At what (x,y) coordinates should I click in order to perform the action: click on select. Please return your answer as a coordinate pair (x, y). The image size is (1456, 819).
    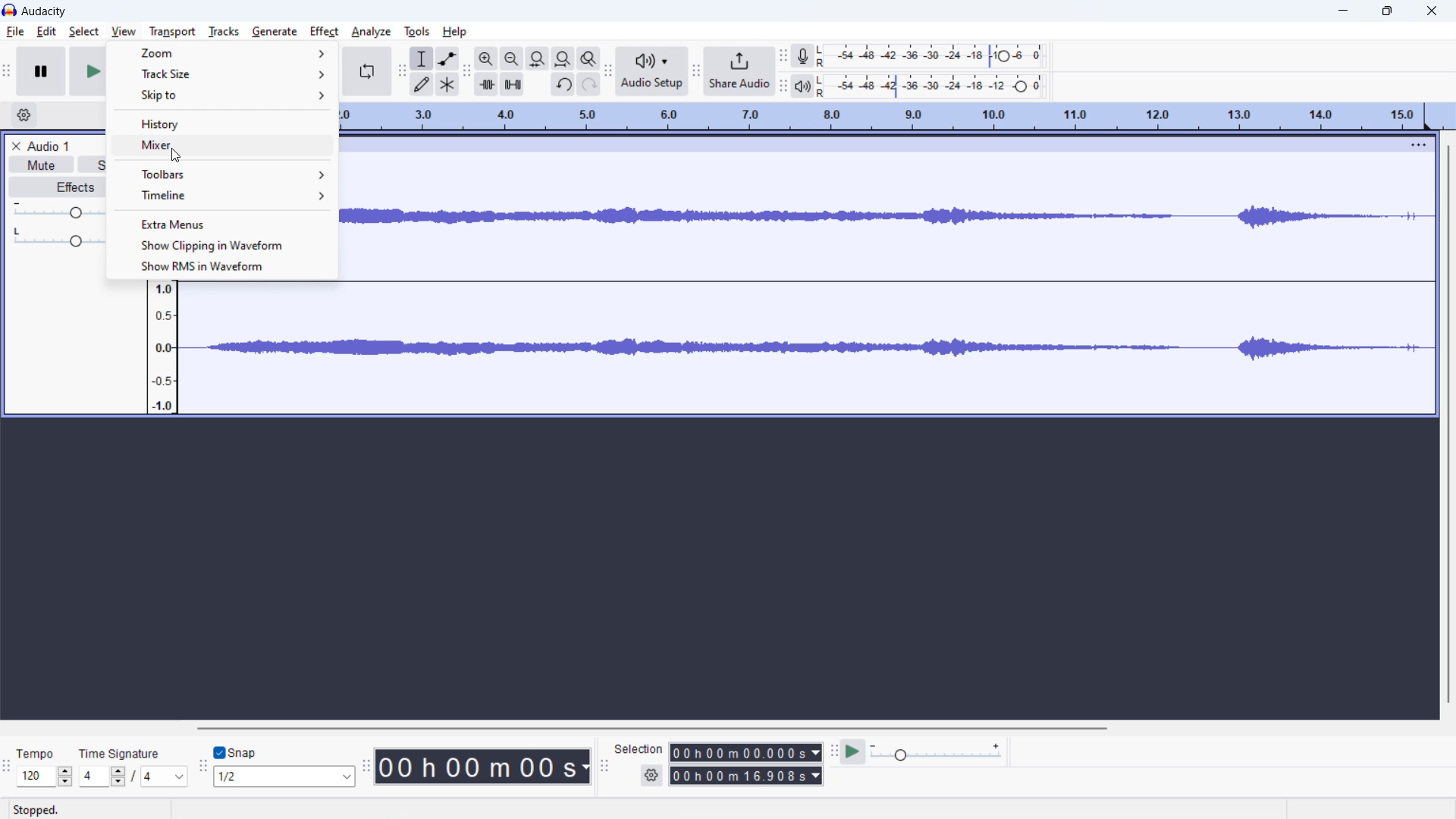
    Looking at the image, I should click on (83, 32).